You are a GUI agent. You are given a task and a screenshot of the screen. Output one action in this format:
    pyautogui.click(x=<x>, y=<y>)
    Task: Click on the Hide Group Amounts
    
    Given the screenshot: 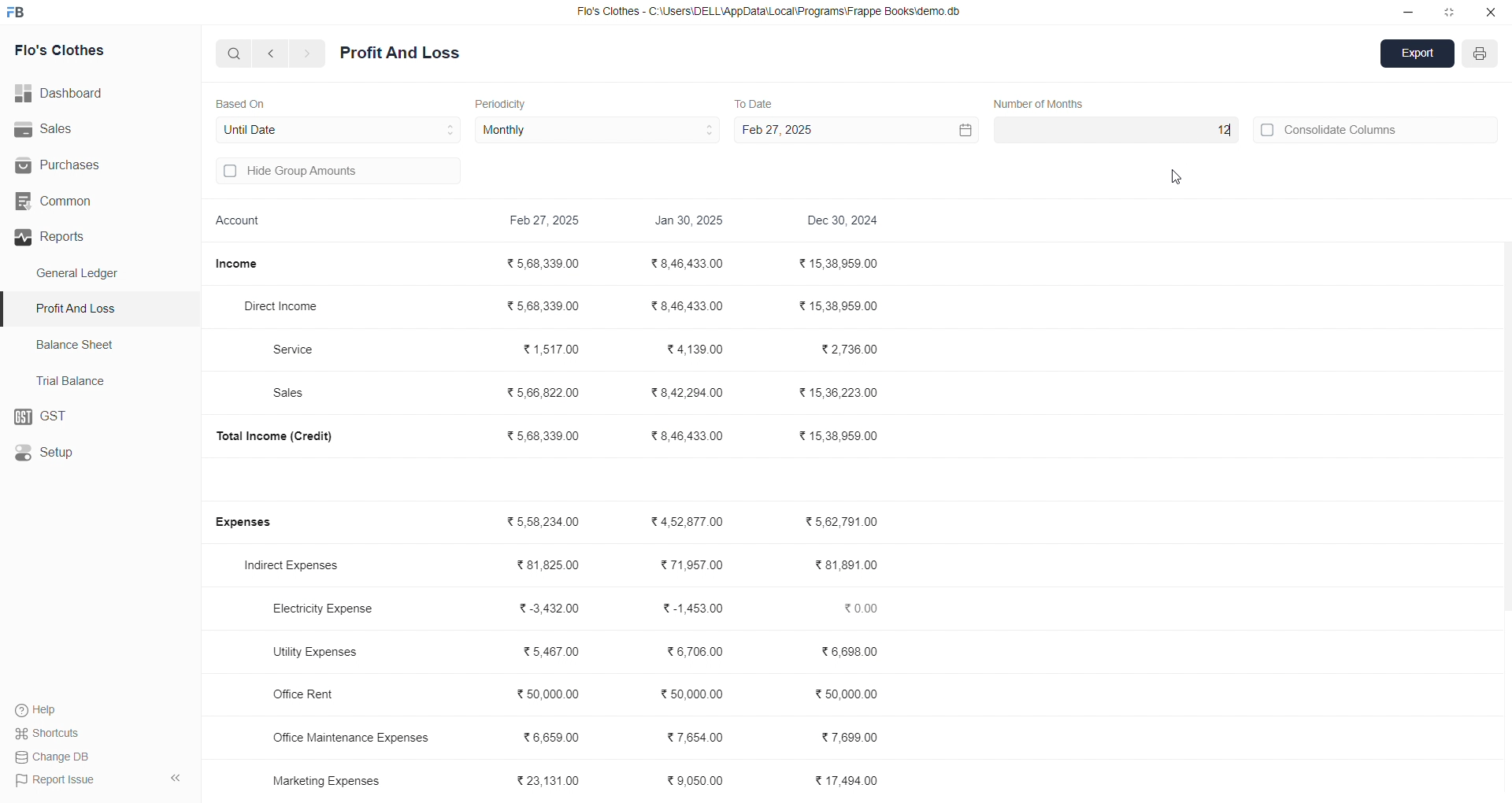 What is the action you would take?
    pyautogui.click(x=335, y=172)
    